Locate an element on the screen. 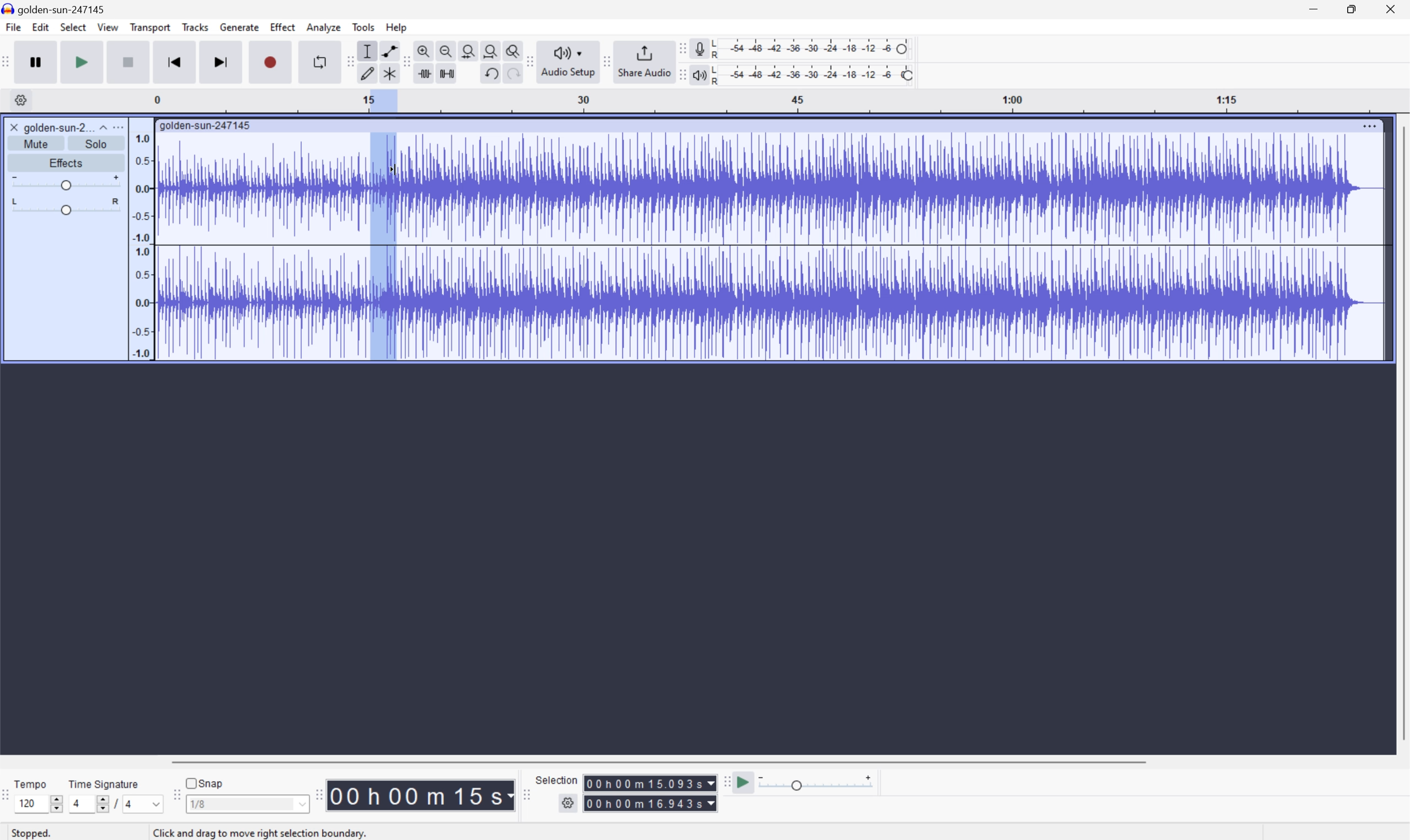 The height and width of the screenshot is (840, 1410). Select is located at coordinates (73, 28).